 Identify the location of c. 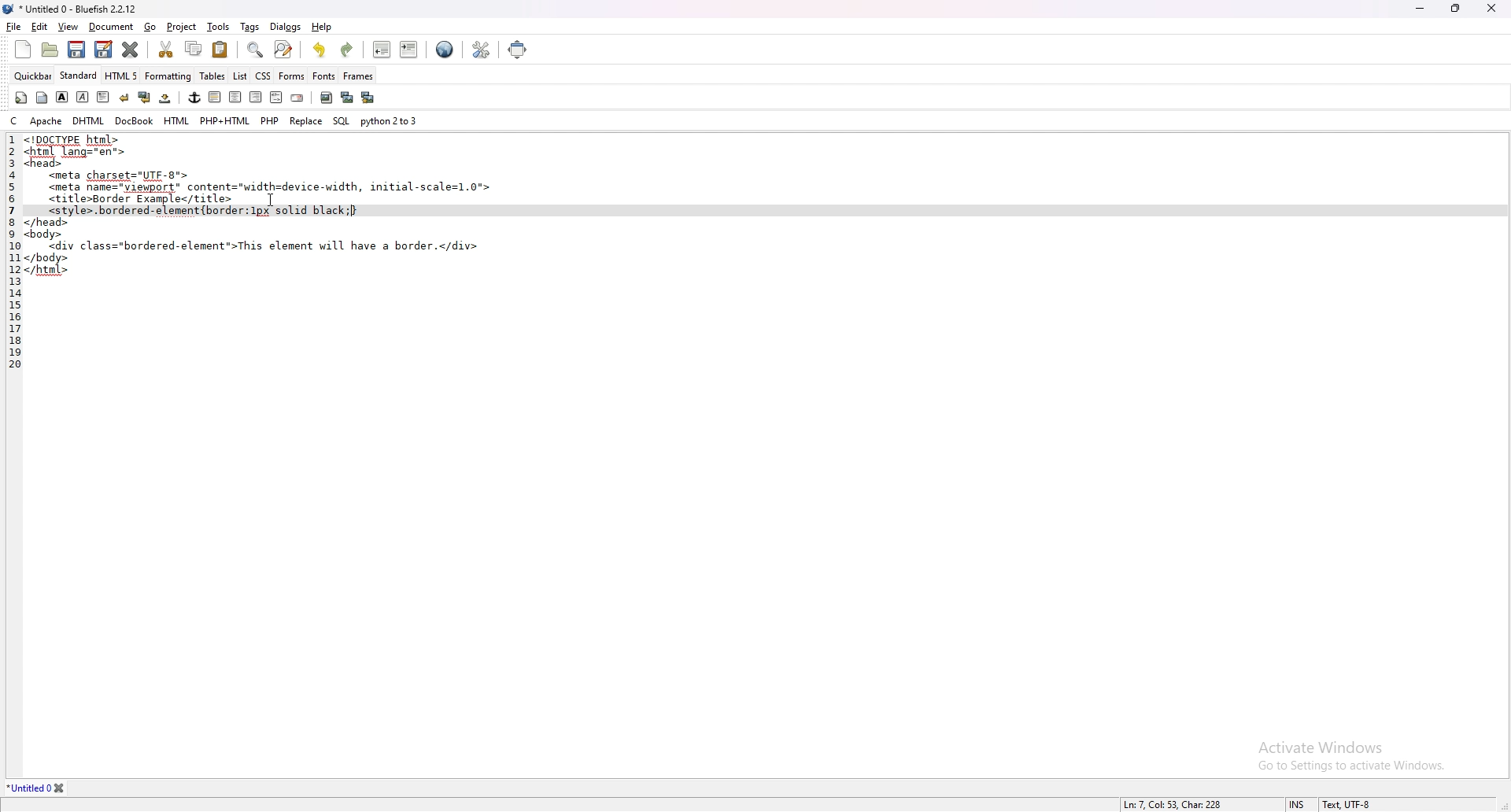
(16, 120).